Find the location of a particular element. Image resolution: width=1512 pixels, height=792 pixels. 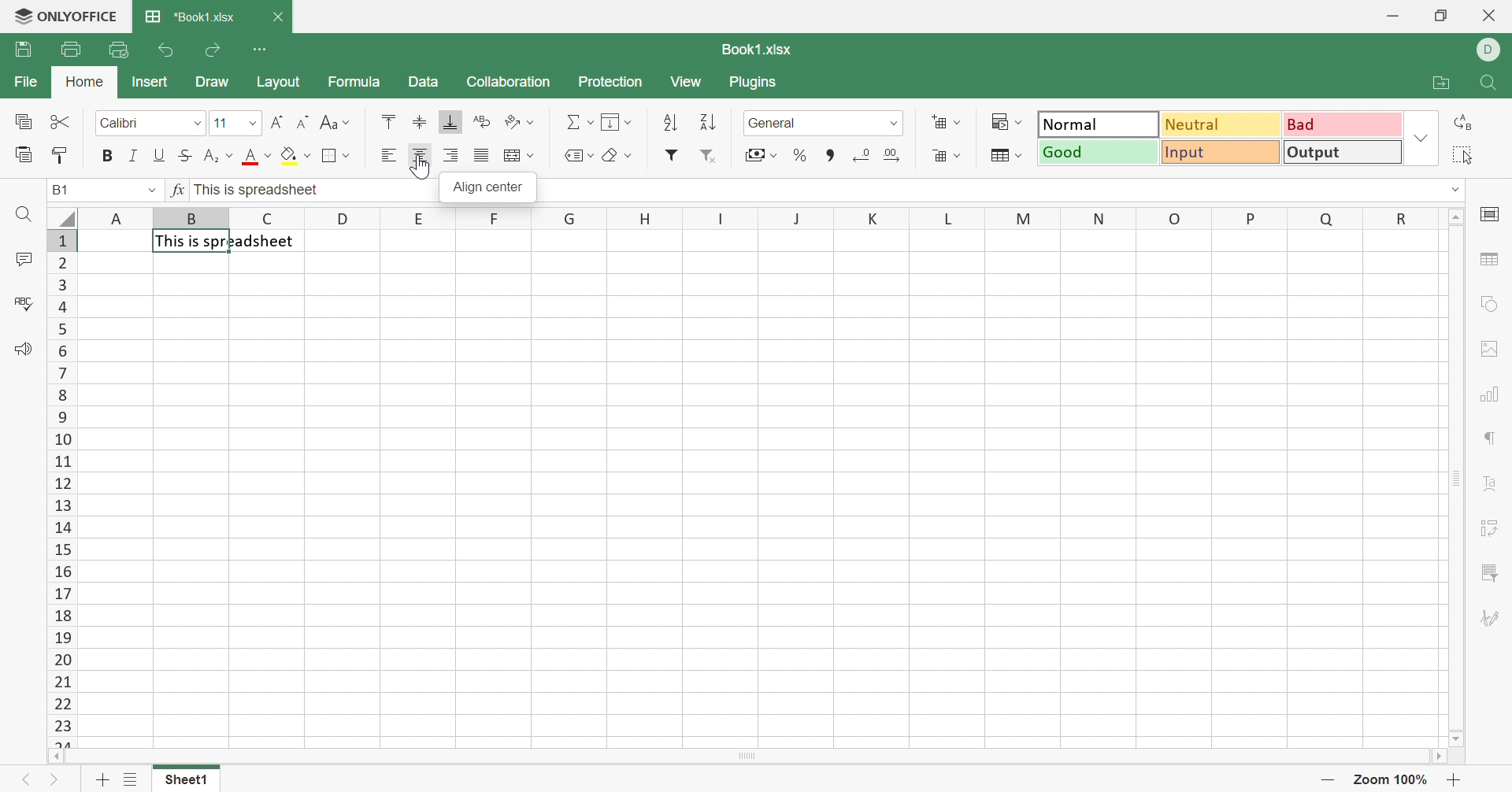

cell settings is located at coordinates (1492, 214).